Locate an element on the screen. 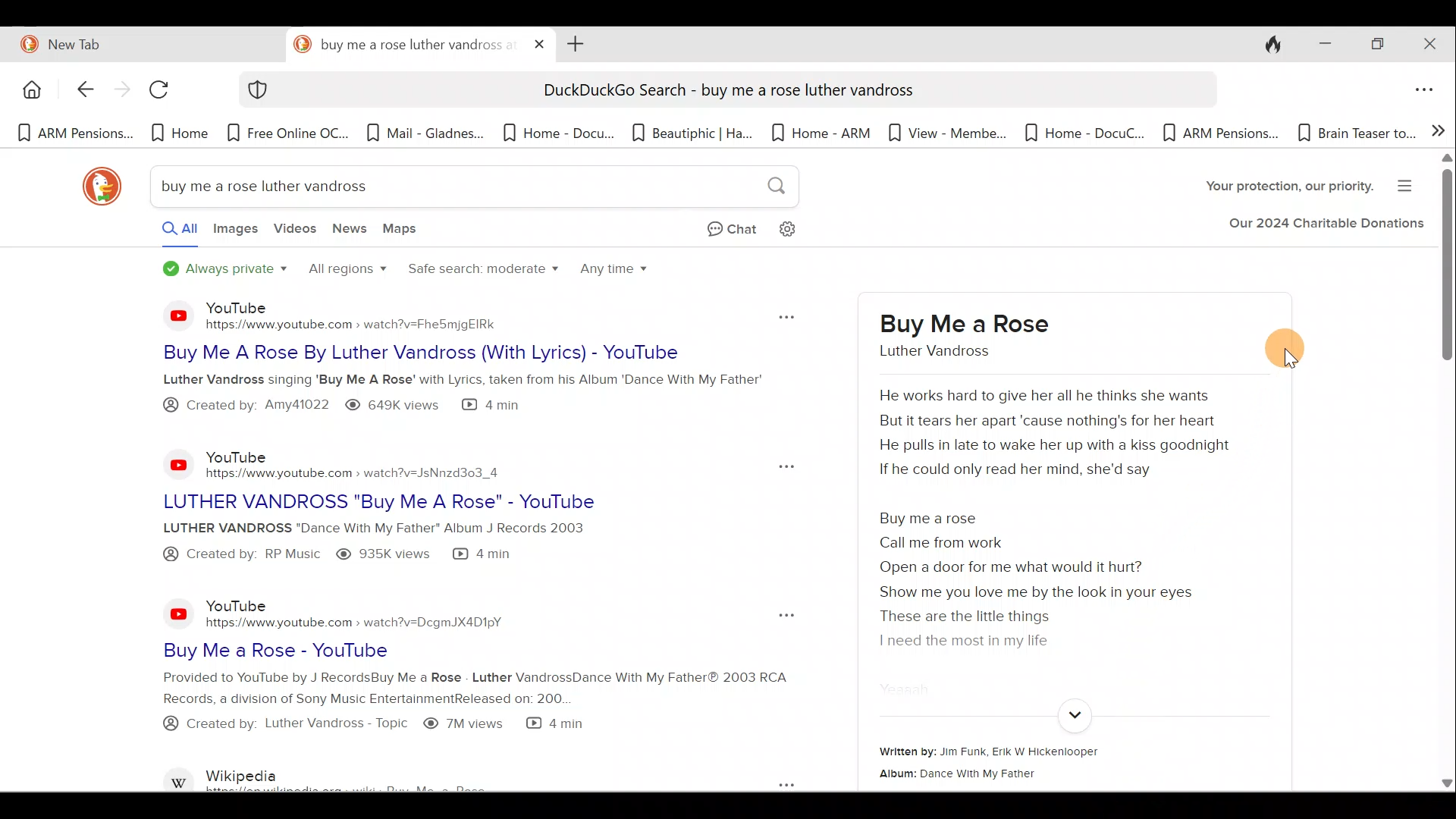  Provided to YouTube by J RecordsBuy Me a Rose - Luther VandrossDance With My Father® 2003 RCA
Records, a division of Sony Music EntertainmentReleased on: 200.
@ Created by: Luther Vandross - Topic ® 7Mviews (& 4 min is located at coordinates (434, 711).